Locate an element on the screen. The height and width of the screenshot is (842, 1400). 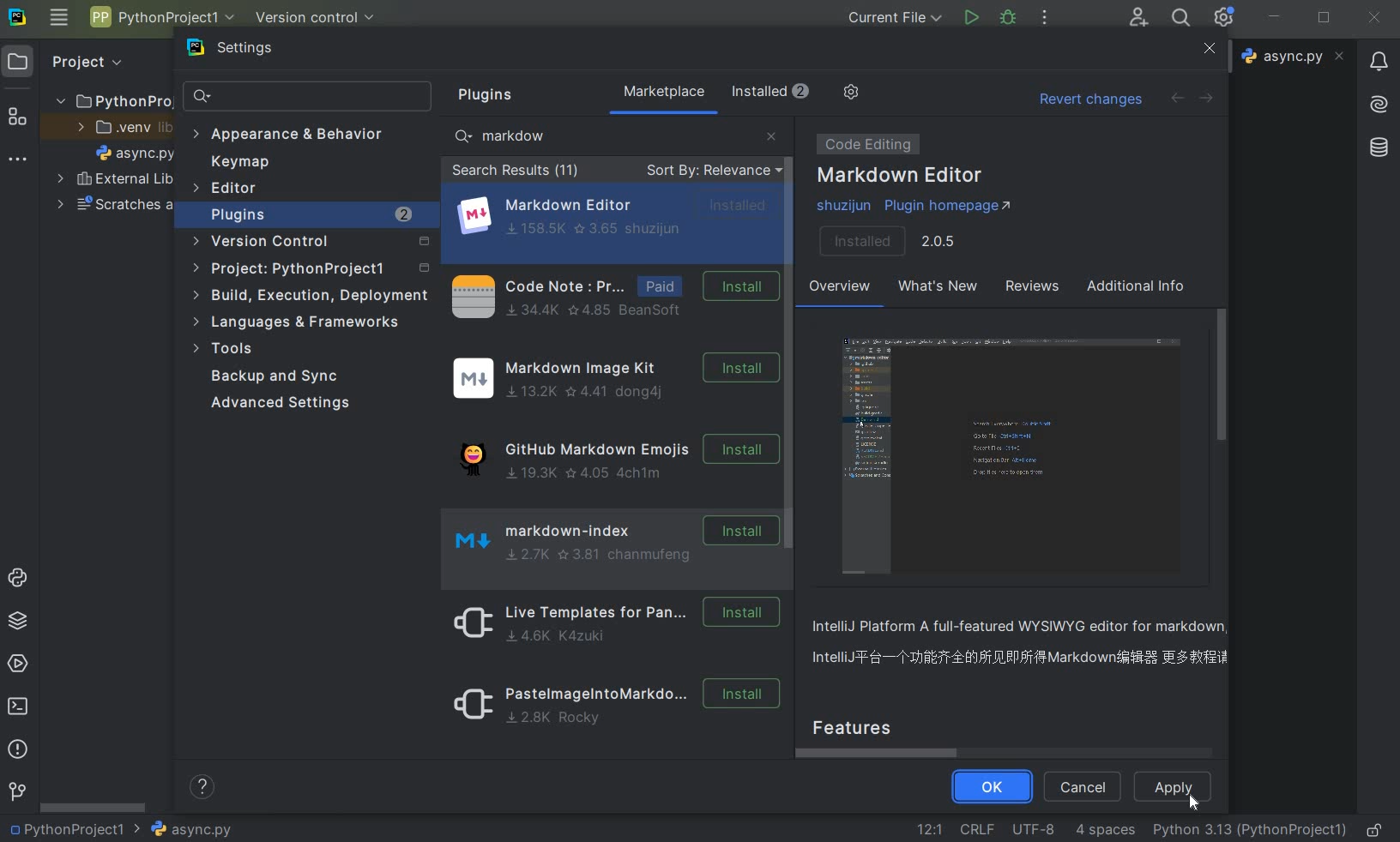
file name is located at coordinates (1293, 57).